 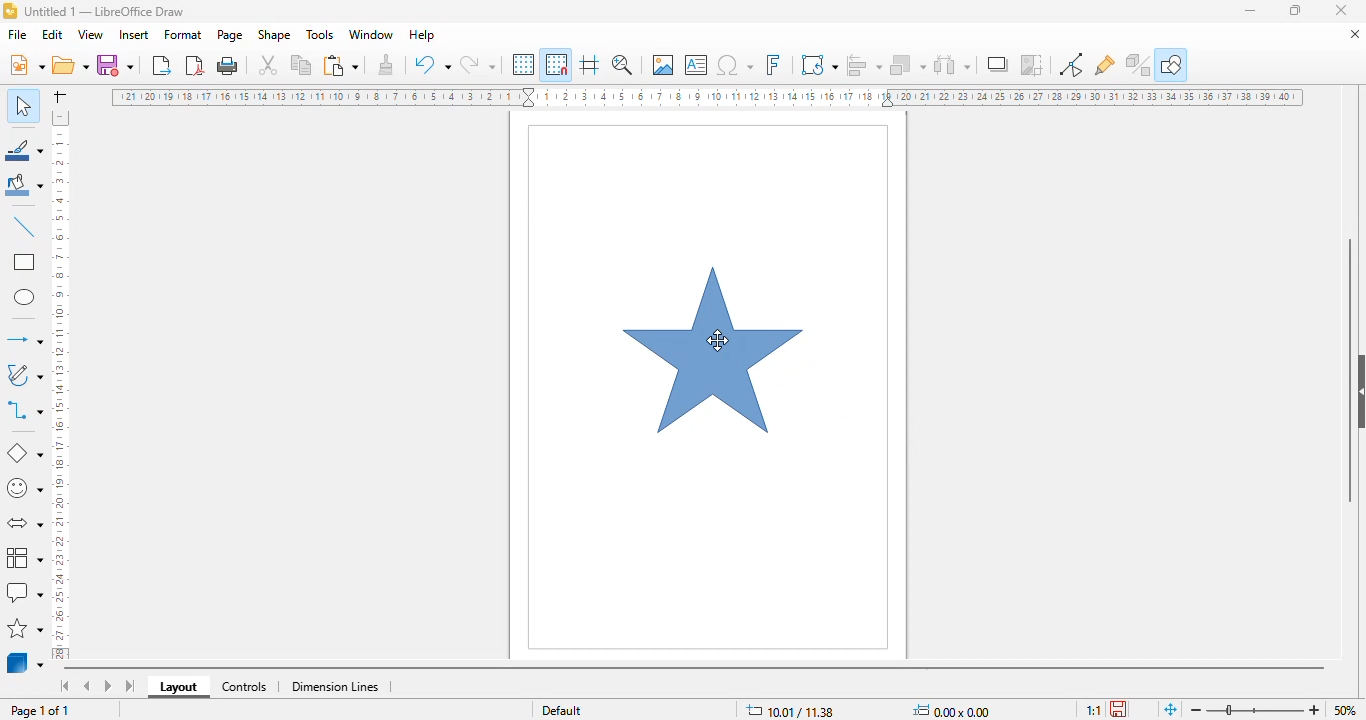 What do you see at coordinates (104, 11) in the screenshot?
I see `title` at bounding box center [104, 11].